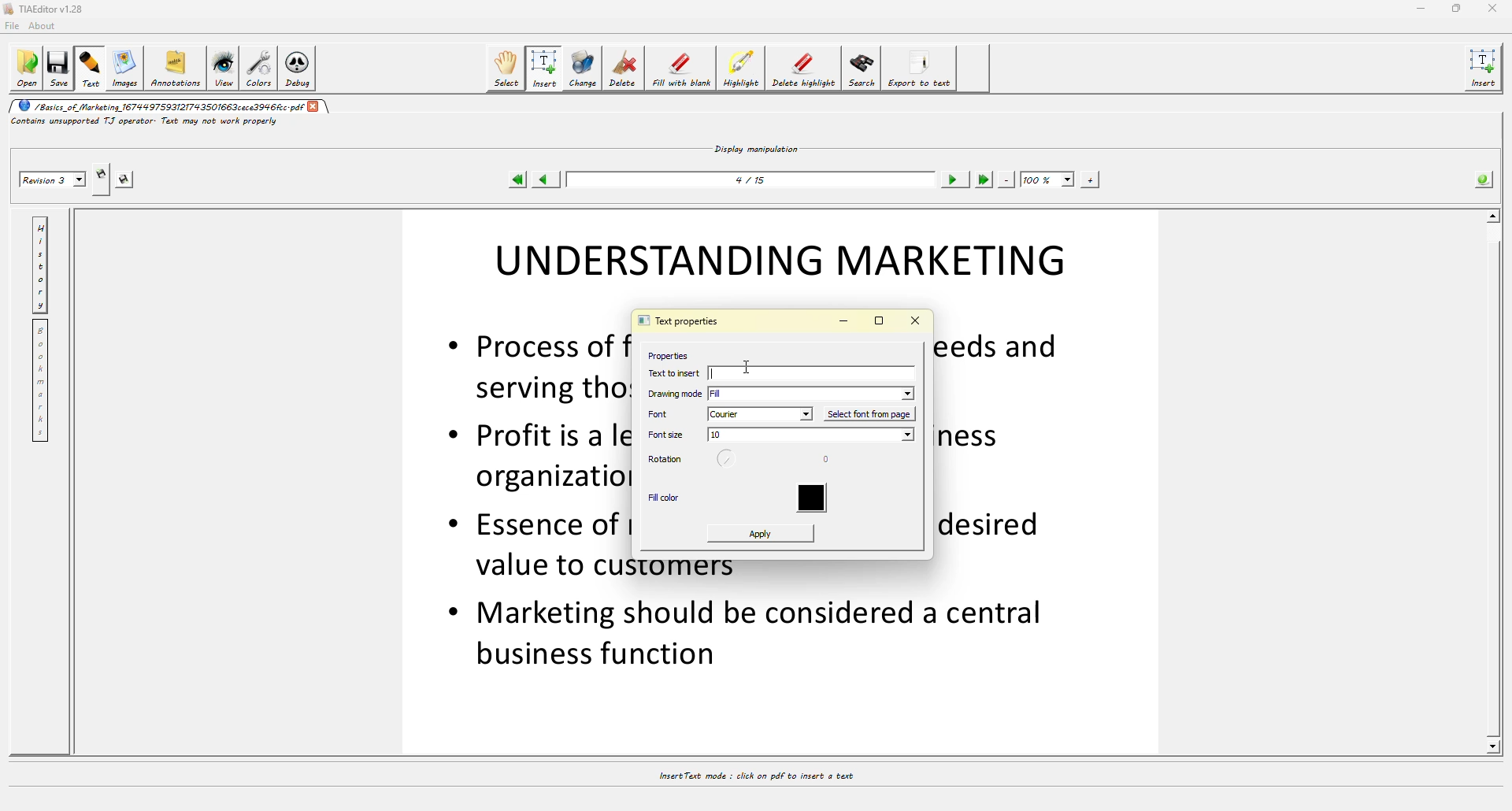  What do you see at coordinates (754, 776) in the screenshot?
I see `insert text mode: click on pdf to insert a text` at bounding box center [754, 776].